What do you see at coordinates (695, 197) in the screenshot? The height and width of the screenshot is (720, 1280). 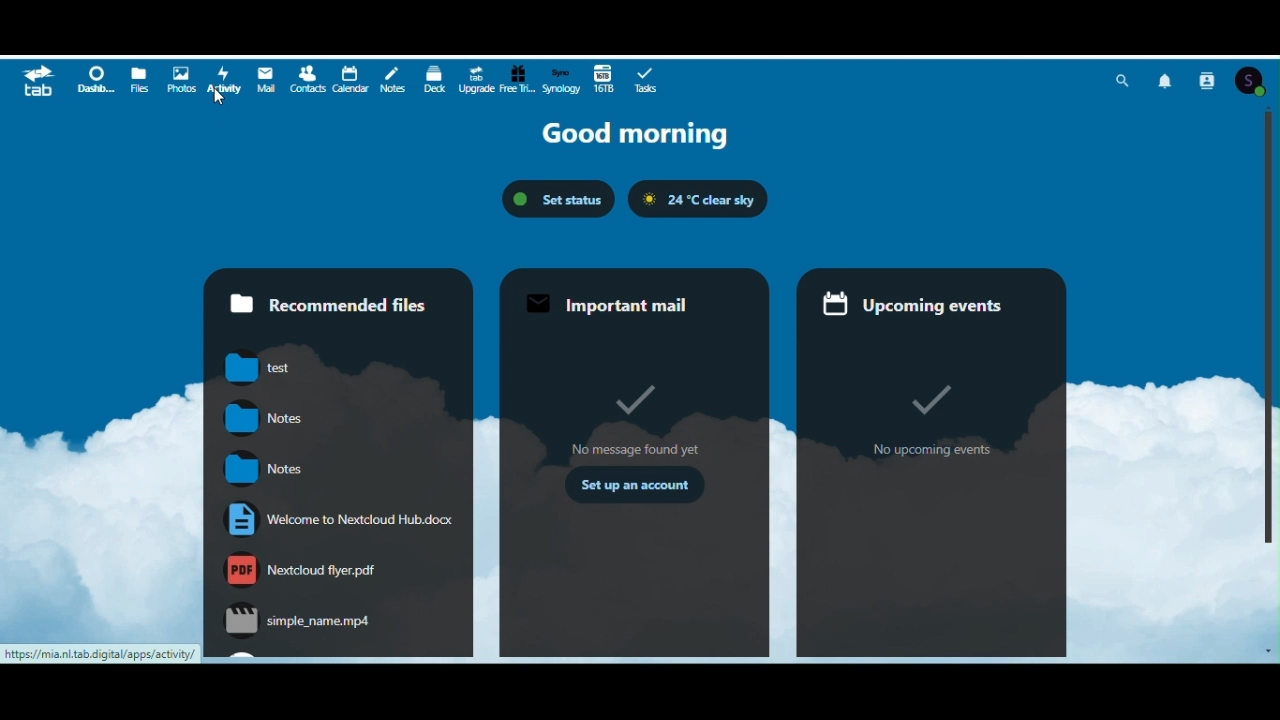 I see `Weather` at bounding box center [695, 197].